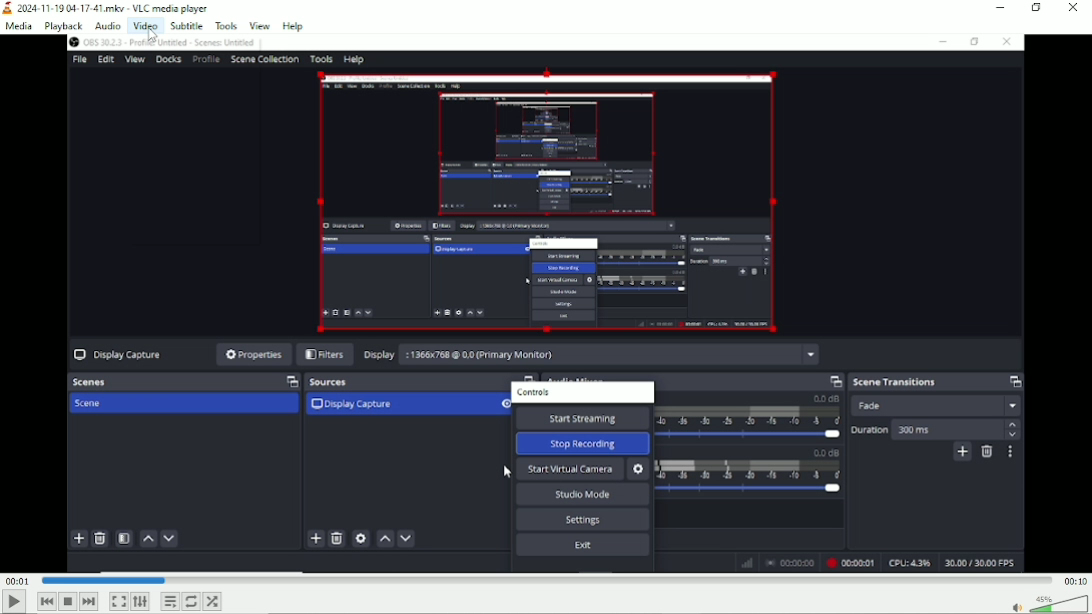 This screenshot has height=614, width=1092. Describe the element at coordinates (227, 25) in the screenshot. I see `tools` at that location.